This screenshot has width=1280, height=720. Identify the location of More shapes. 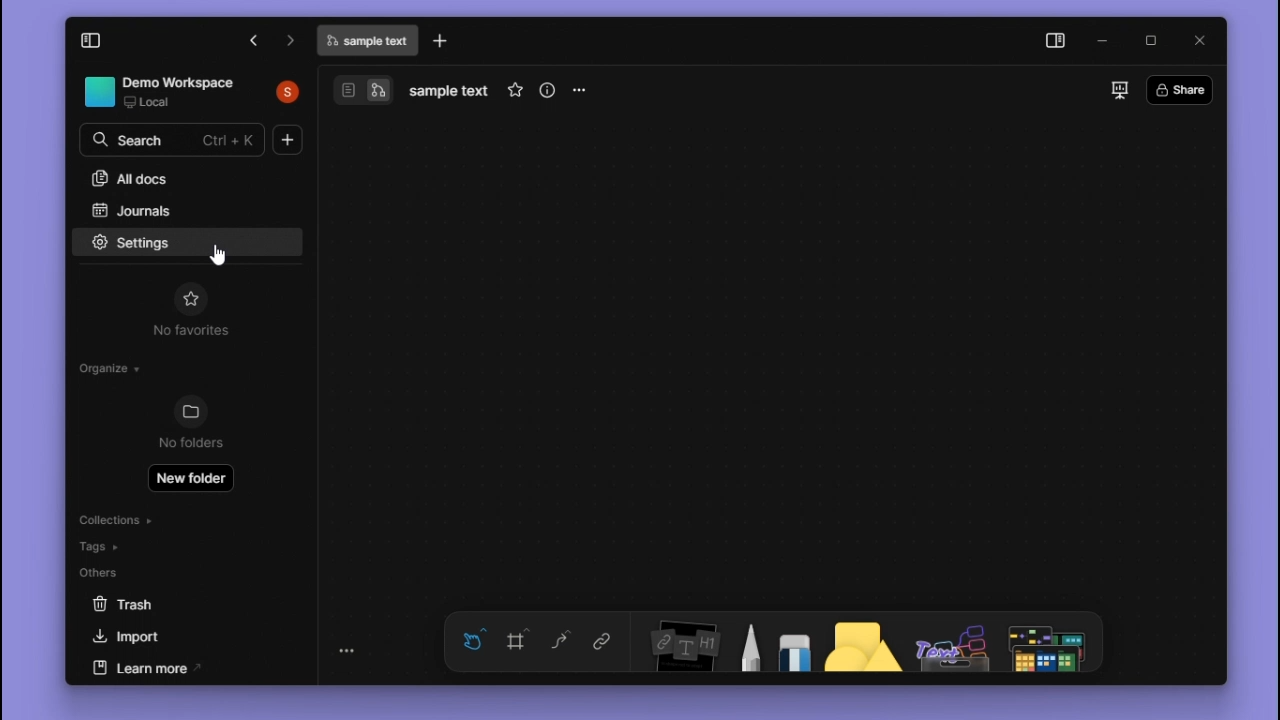
(1053, 644).